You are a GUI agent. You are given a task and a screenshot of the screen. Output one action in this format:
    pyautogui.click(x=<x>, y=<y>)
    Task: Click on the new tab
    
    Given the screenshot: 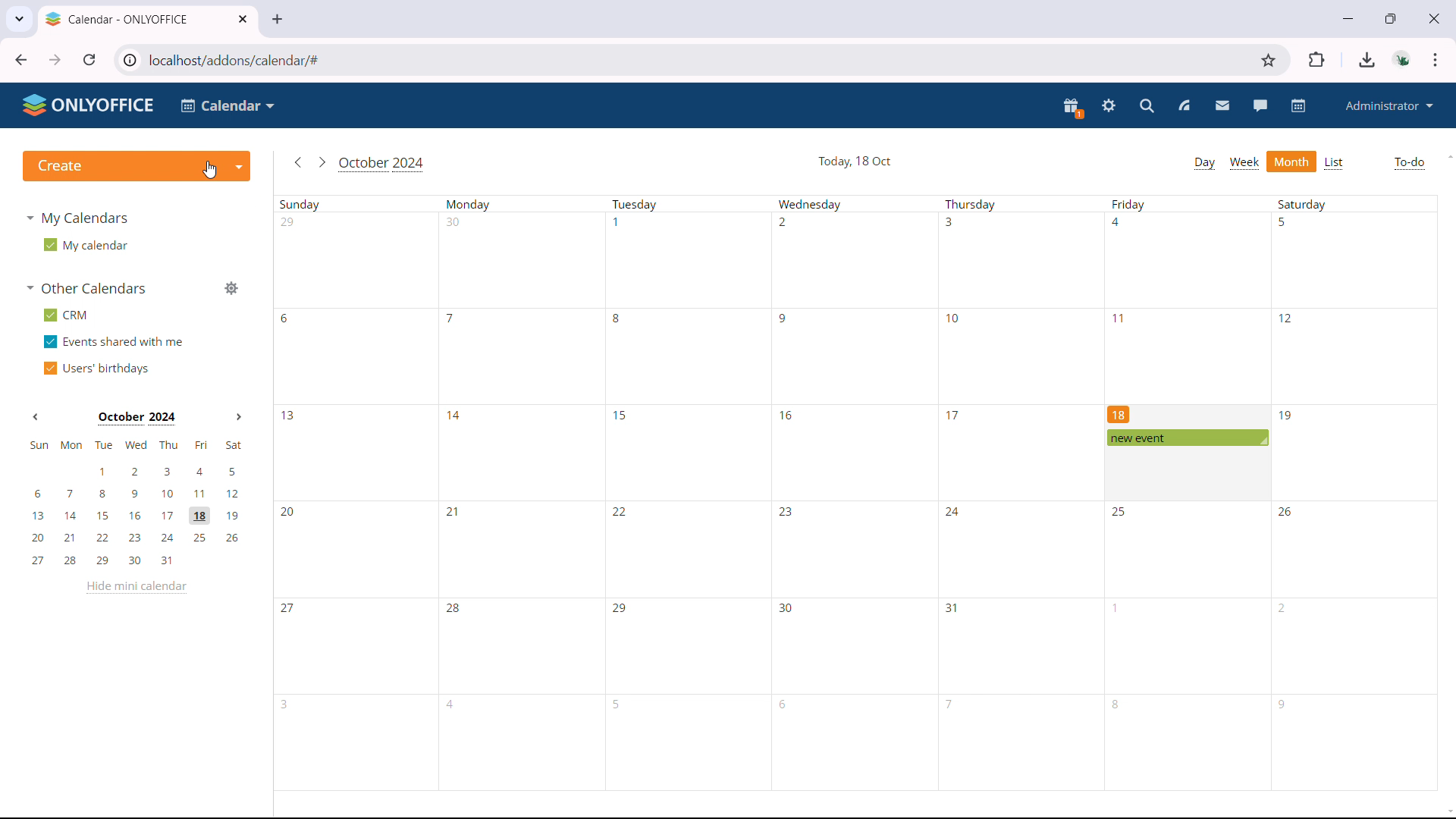 What is the action you would take?
    pyautogui.click(x=277, y=20)
    